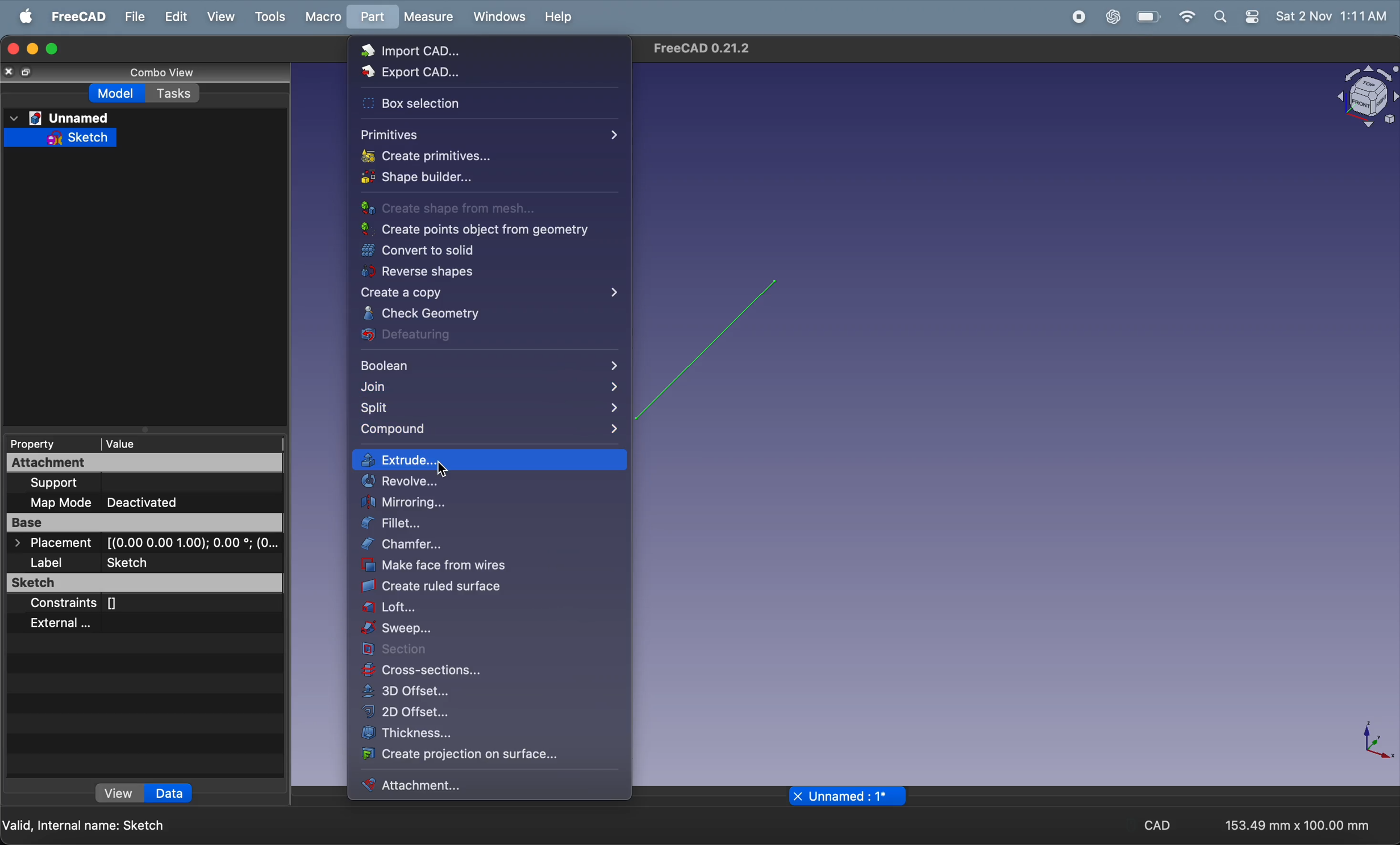 The height and width of the screenshot is (845, 1400). Describe the element at coordinates (27, 72) in the screenshot. I see `resize` at that location.